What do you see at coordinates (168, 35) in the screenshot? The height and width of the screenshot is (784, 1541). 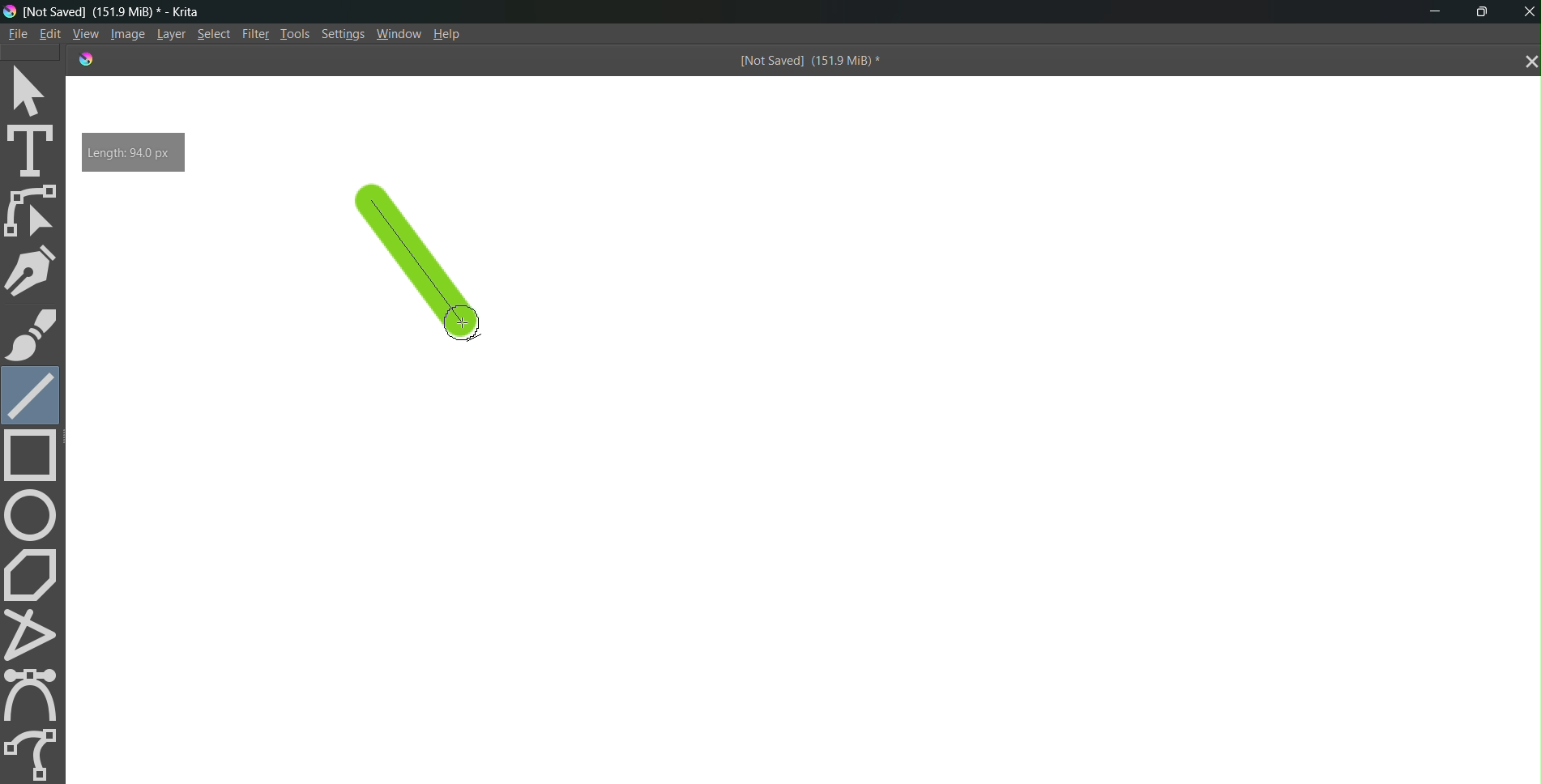 I see `Layer` at bounding box center [168, 35].